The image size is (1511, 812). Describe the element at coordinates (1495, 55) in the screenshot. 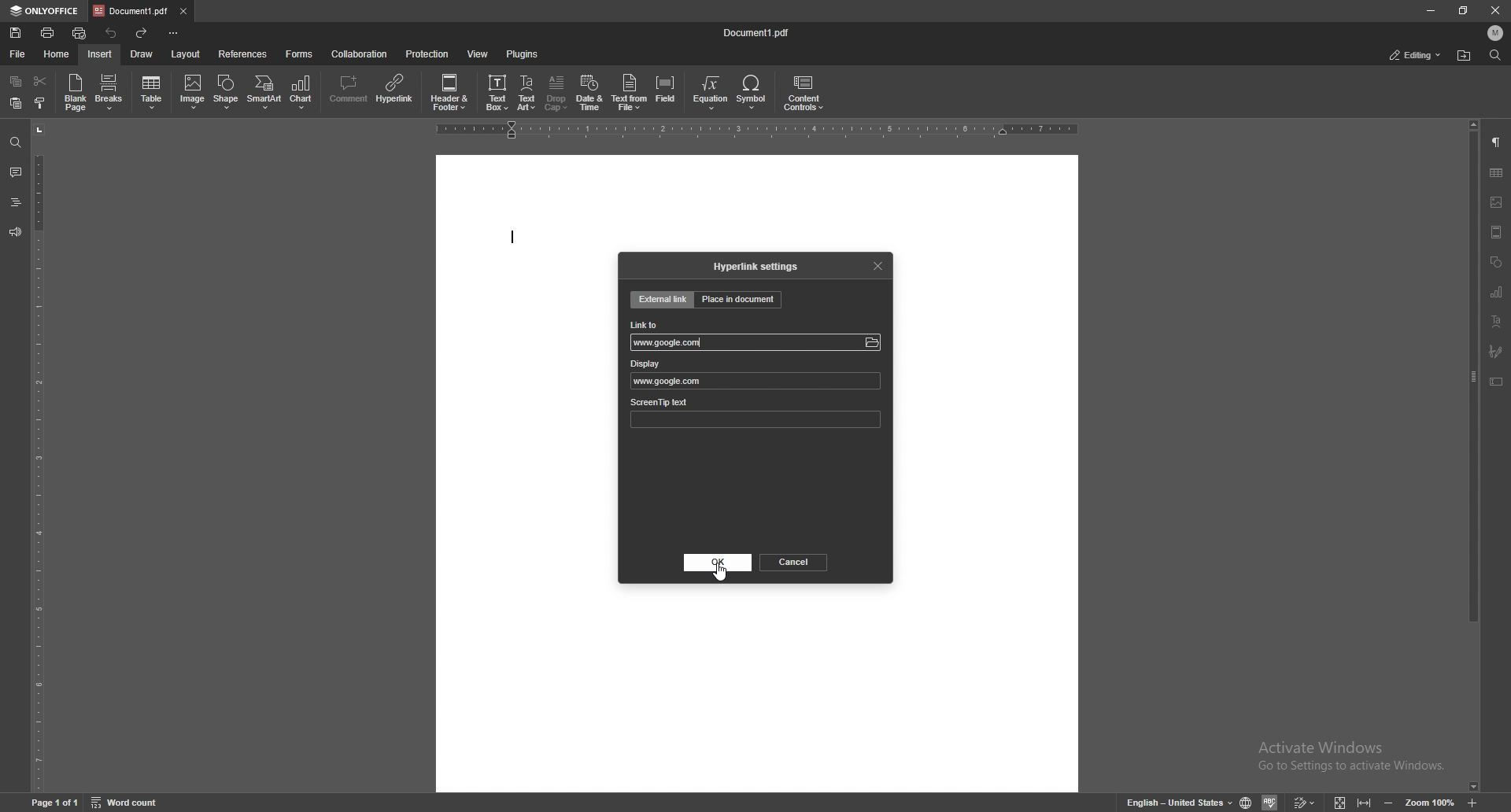

I see `find` at that location.